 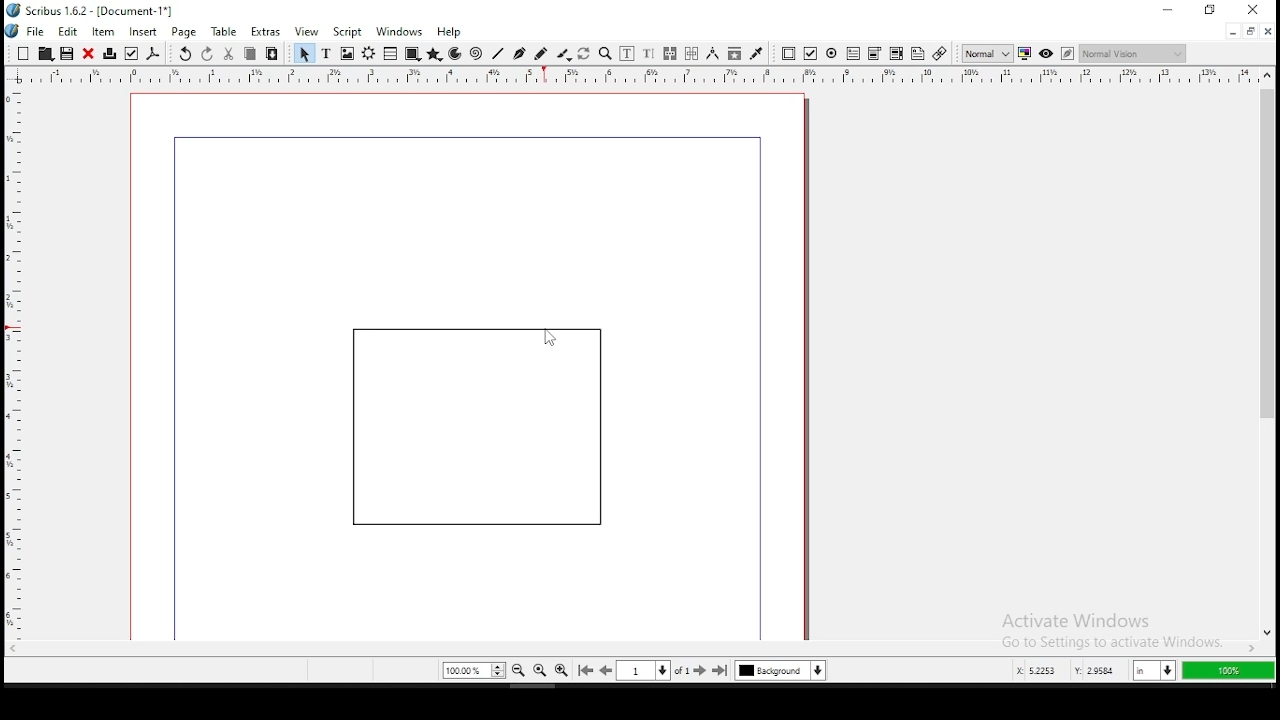 I want to click on zoom out, so click(x=519, y=670).